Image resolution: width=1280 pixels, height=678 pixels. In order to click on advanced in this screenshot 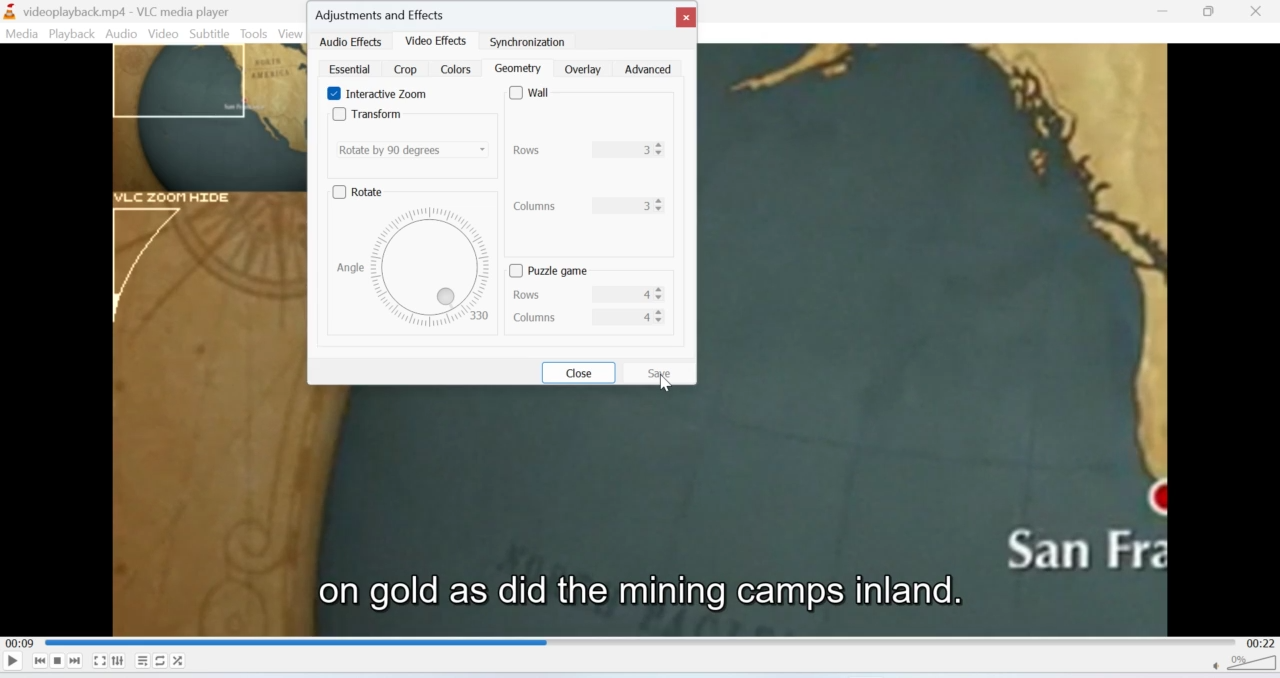, I will do `click(650, 69)`.